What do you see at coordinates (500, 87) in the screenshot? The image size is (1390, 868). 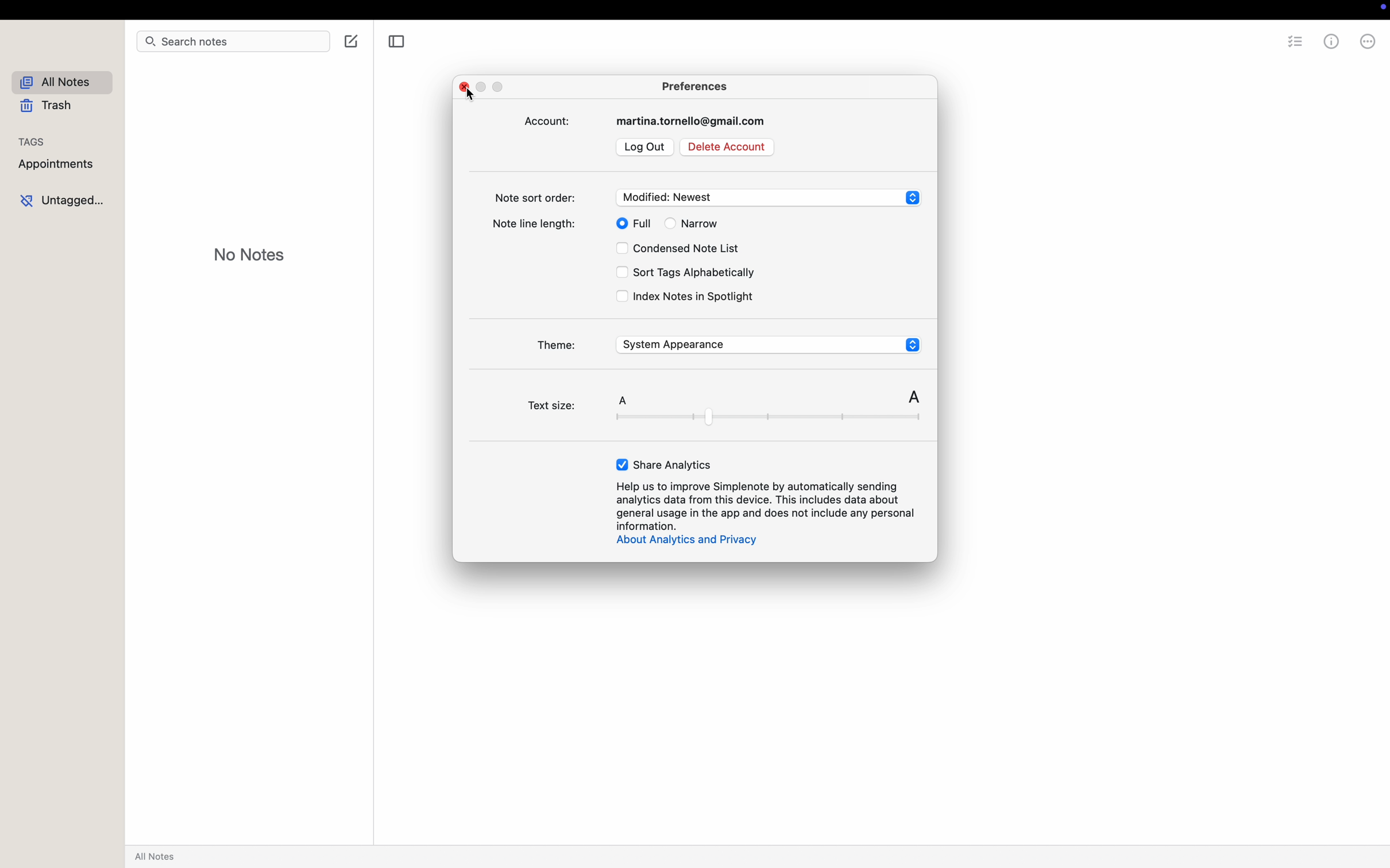 I see `maximize popup` at bounding box center [500, 87].